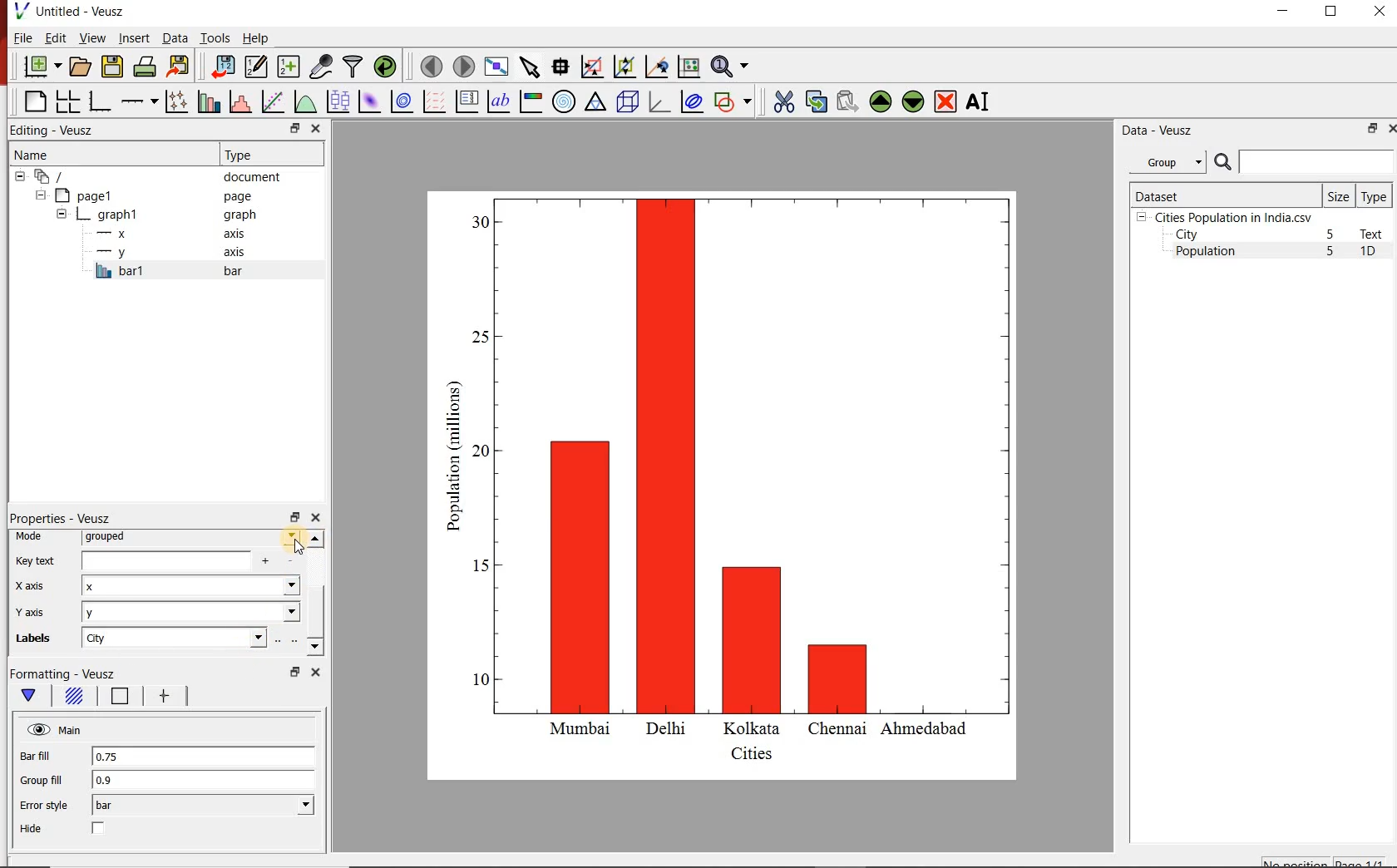 This screenshot has width=1397, height=868. I want to click on arrange graphs in a grid, so click(67, 101).